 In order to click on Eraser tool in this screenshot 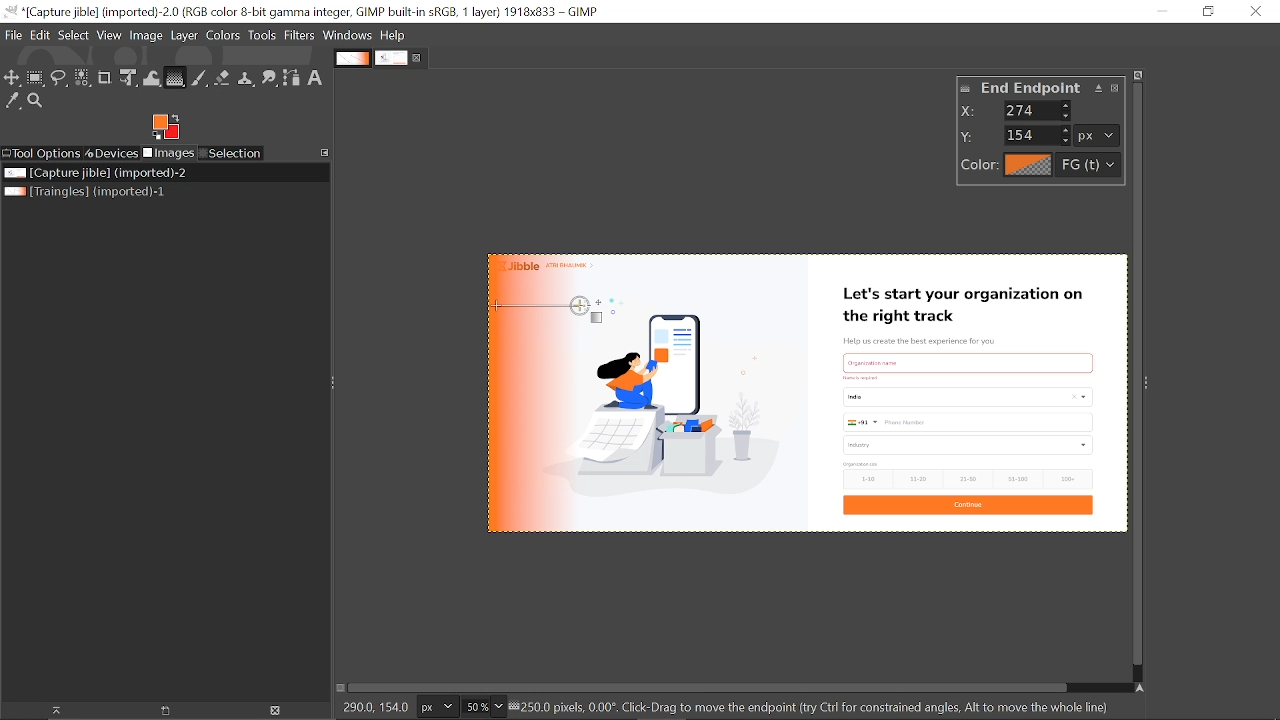, I will do `click(222, 78)`.